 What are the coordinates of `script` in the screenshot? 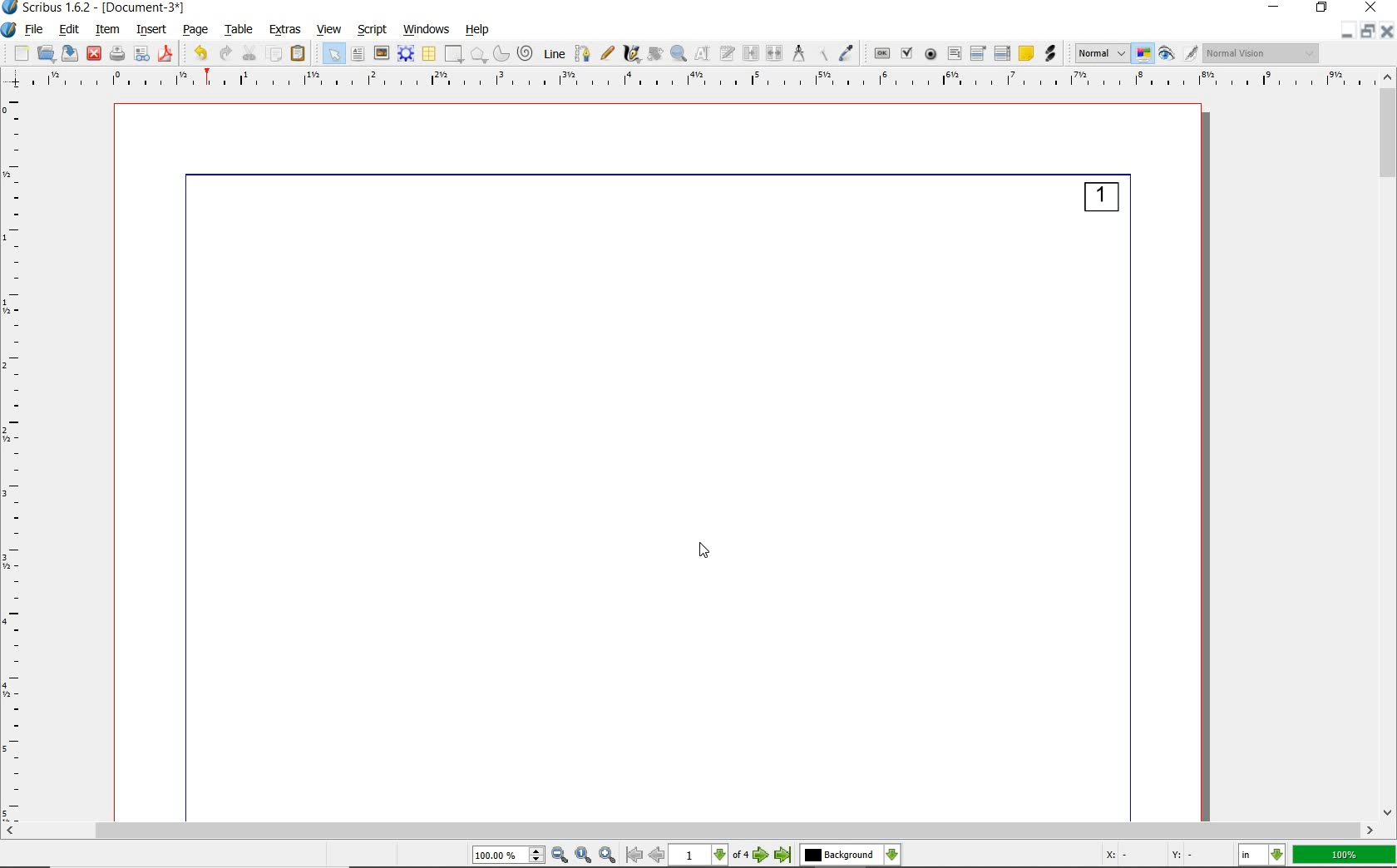 It's located at (373, 31).